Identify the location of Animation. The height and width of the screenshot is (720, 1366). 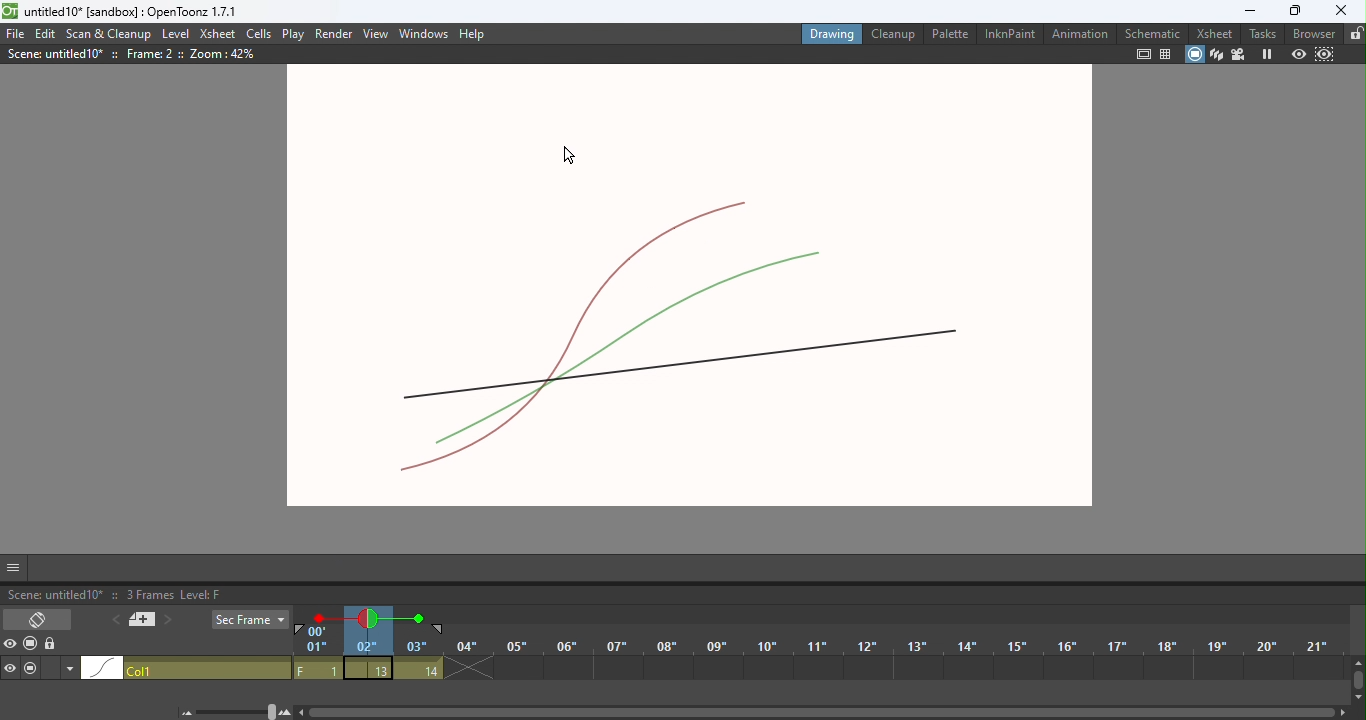
(1077, 34).